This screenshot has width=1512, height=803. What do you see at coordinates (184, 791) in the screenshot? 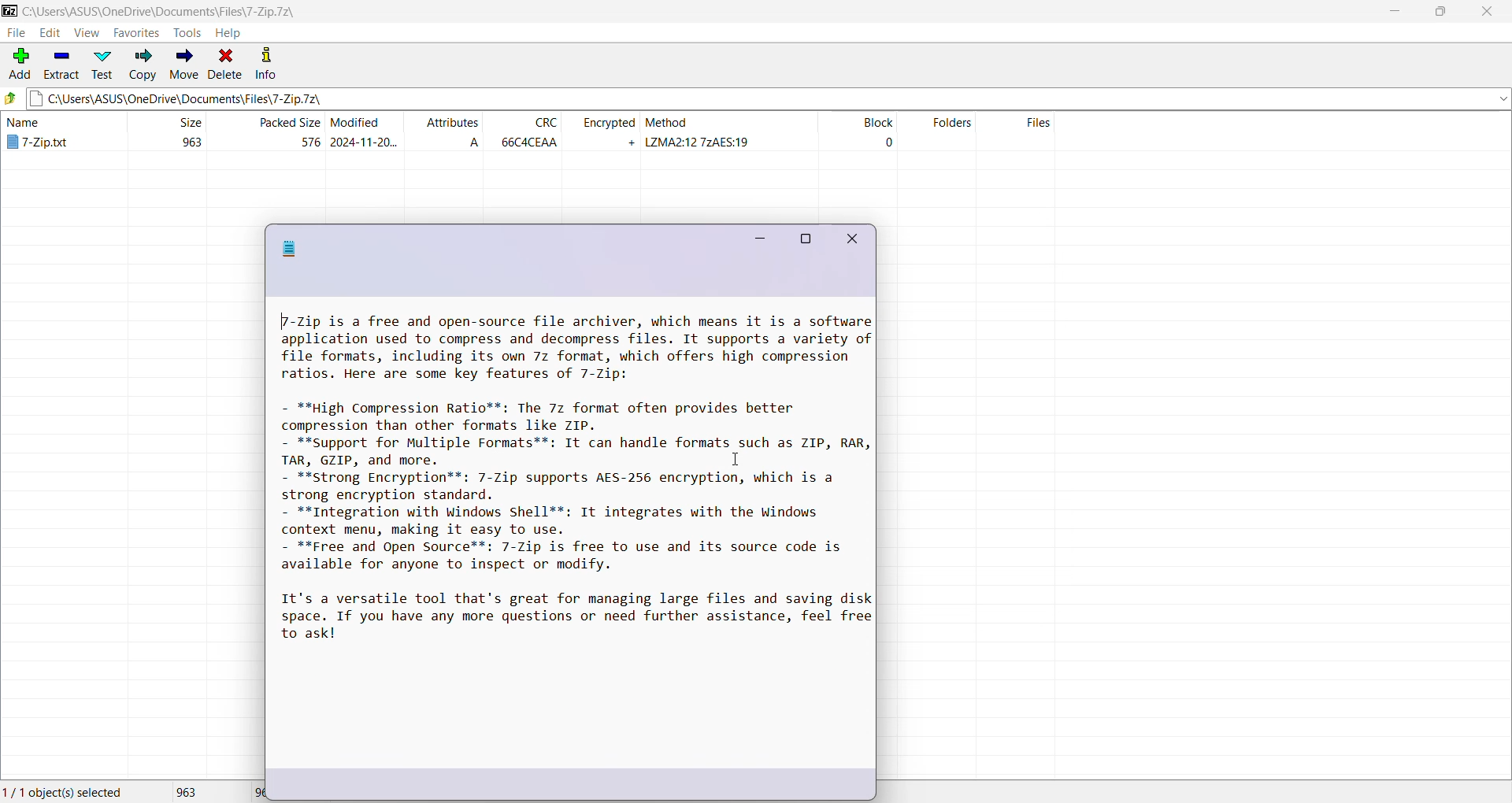
I see `Total size of the selected file` at bounding box center [184, 791].